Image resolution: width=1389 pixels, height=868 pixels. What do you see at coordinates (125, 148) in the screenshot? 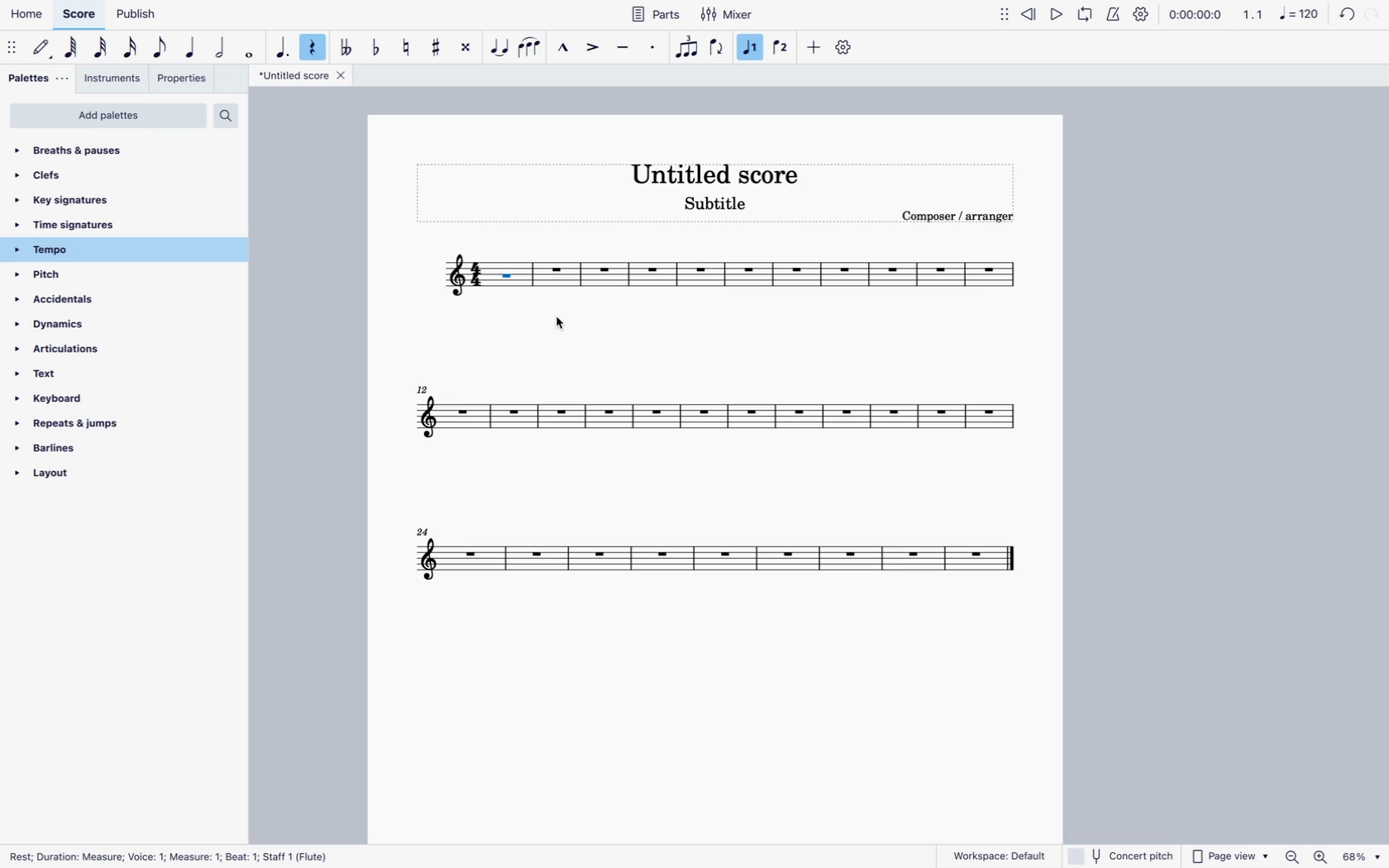
I see `breaths & pauses` at bounding box center [125, 148].